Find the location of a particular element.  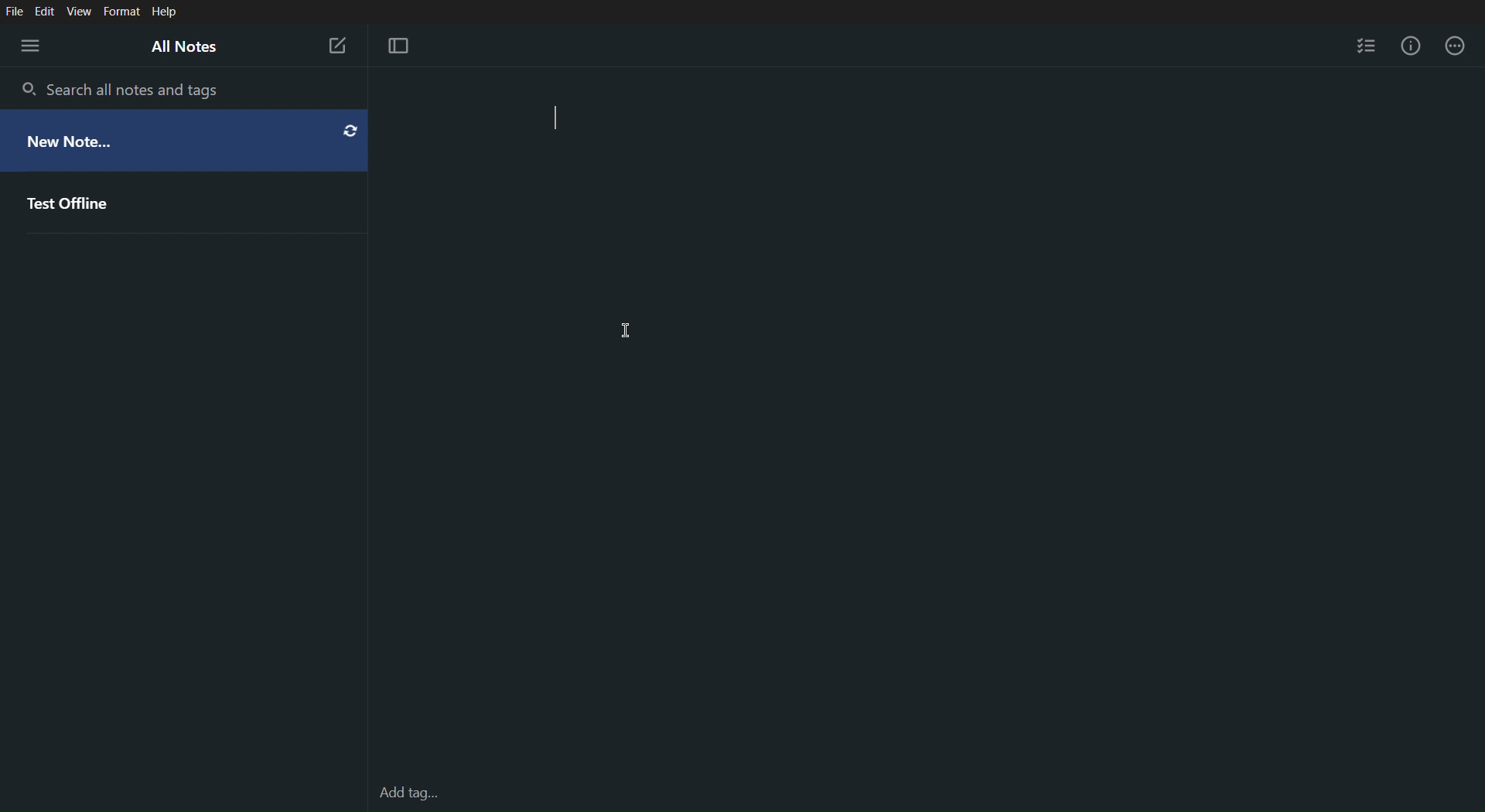

All Notes is located at coordinates (192, 47).